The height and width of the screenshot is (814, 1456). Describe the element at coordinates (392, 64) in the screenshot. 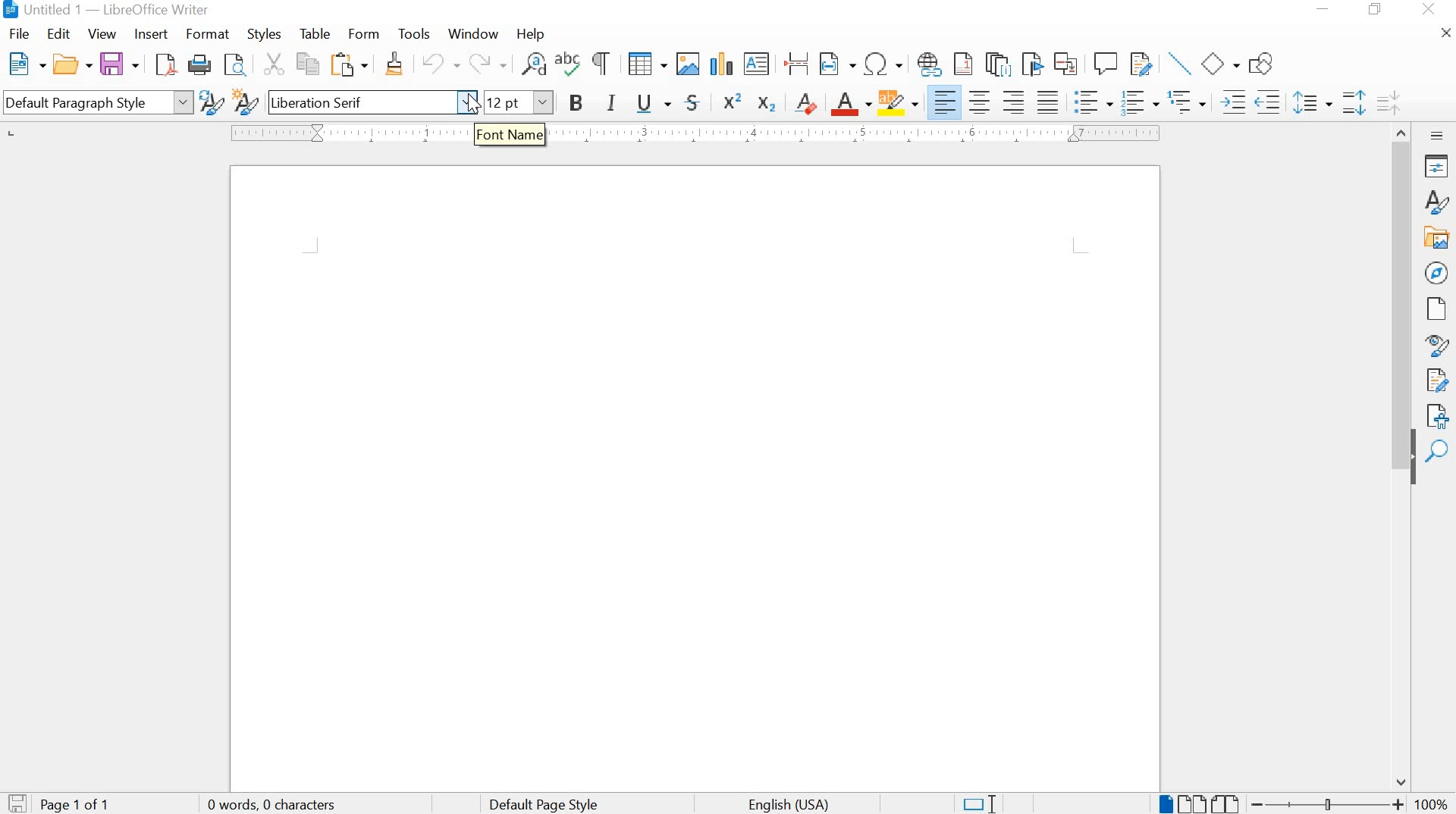

I see `CLONE FORMATTING` at that location.